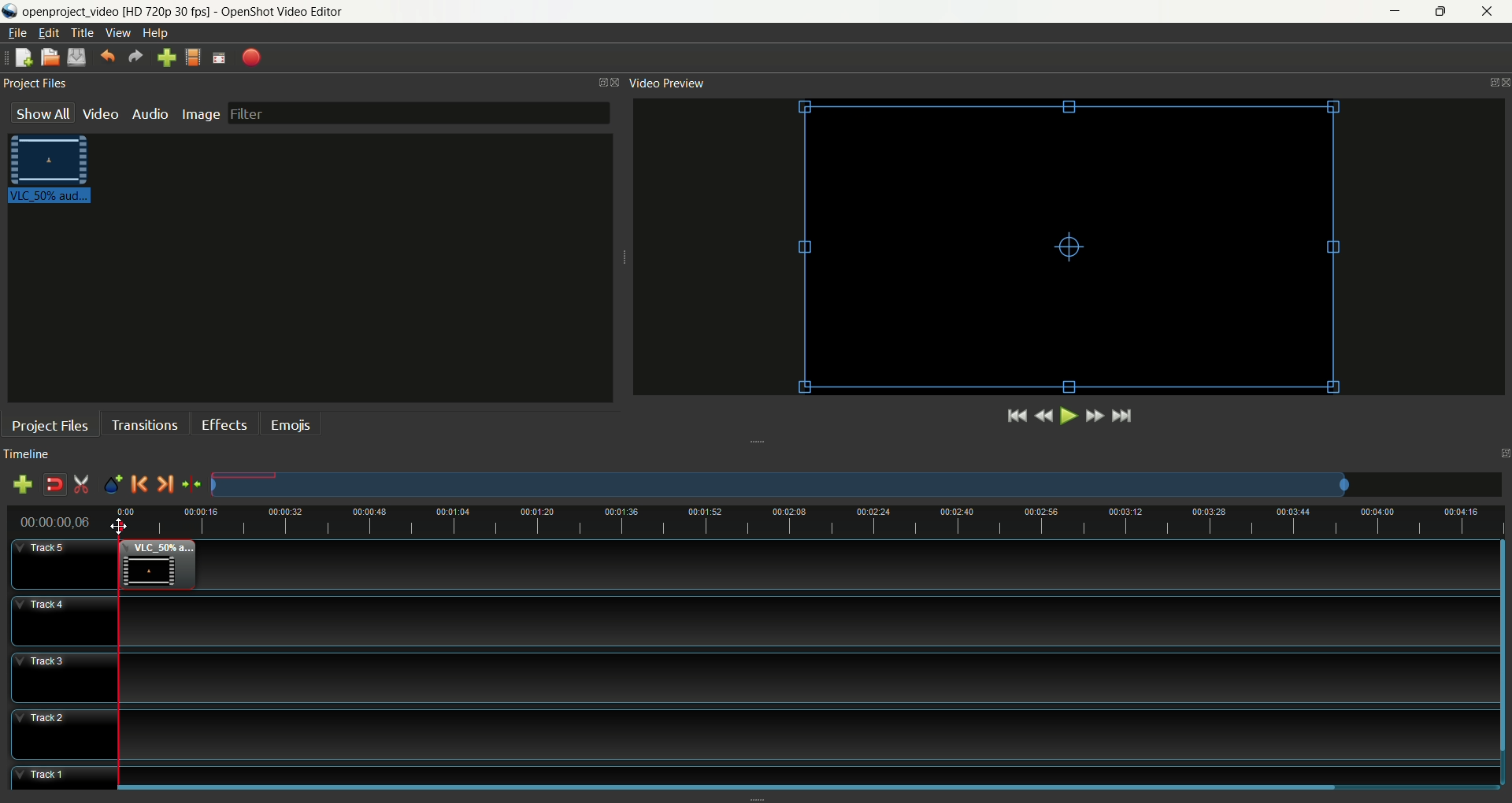 This screenshot has width=1512, height=803. I want to click on maximize, so click(1444, 11).